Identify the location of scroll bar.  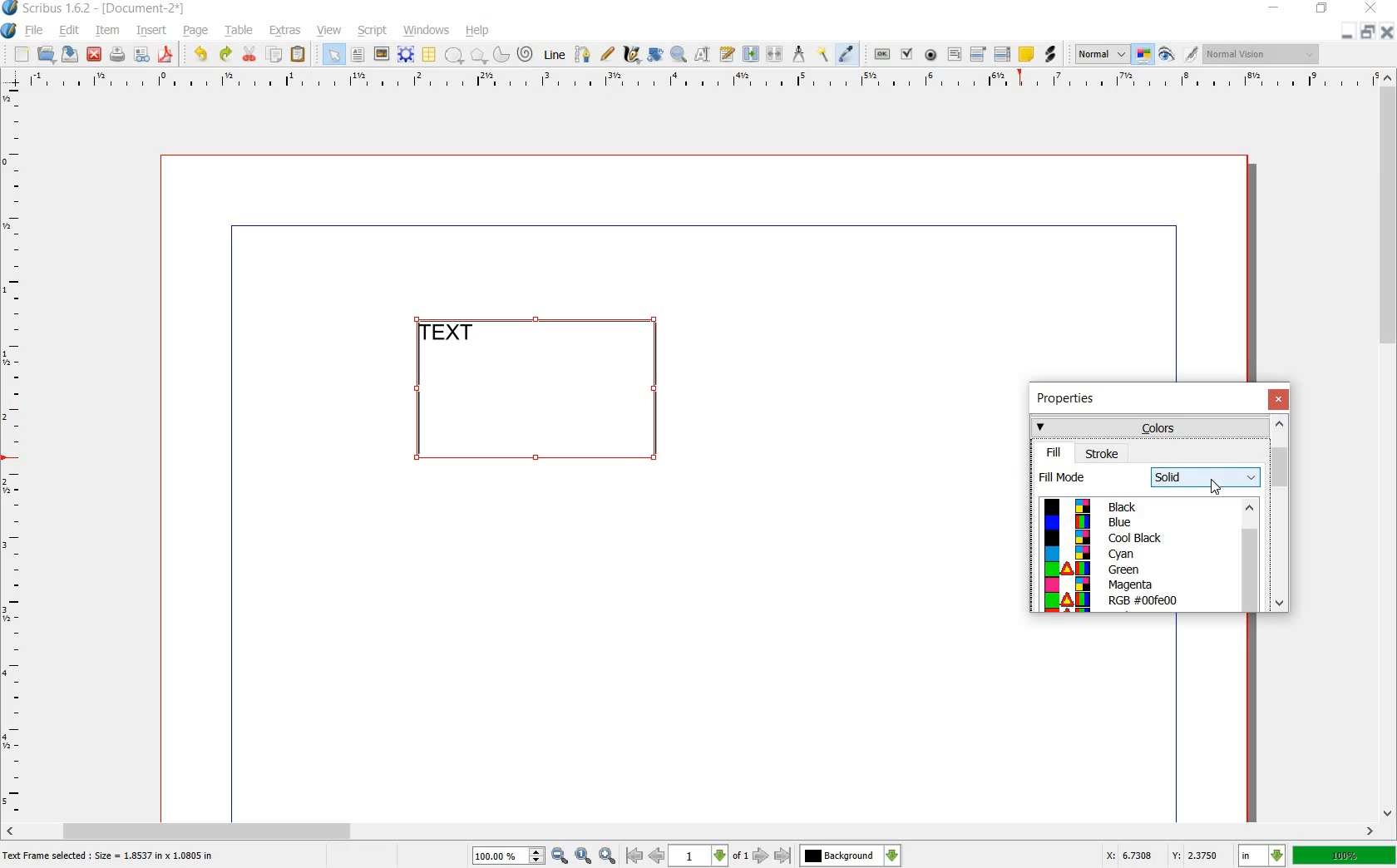
(1389, 446).